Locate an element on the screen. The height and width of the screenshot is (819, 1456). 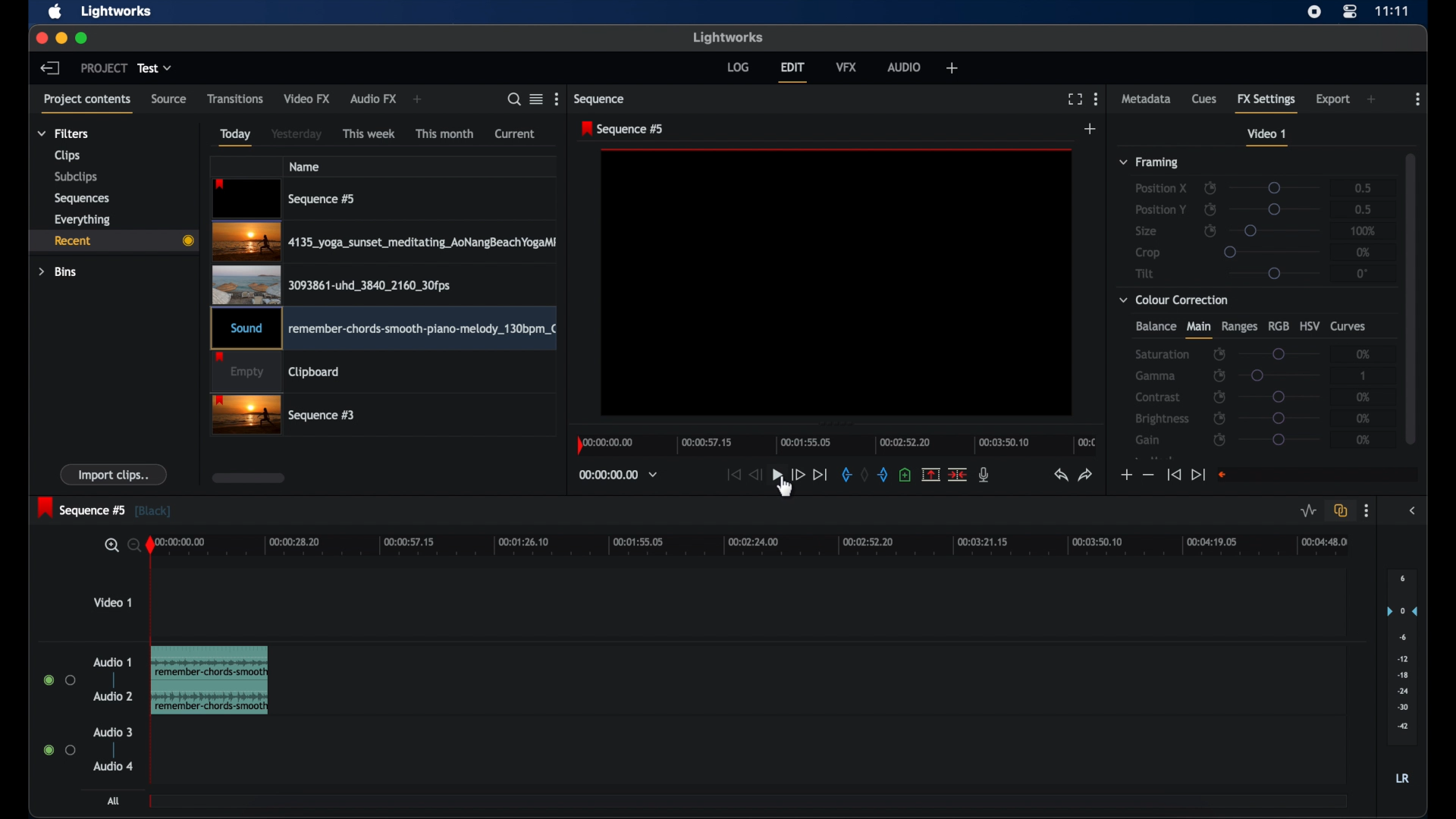
increment is located at coordinates (1125, 475).